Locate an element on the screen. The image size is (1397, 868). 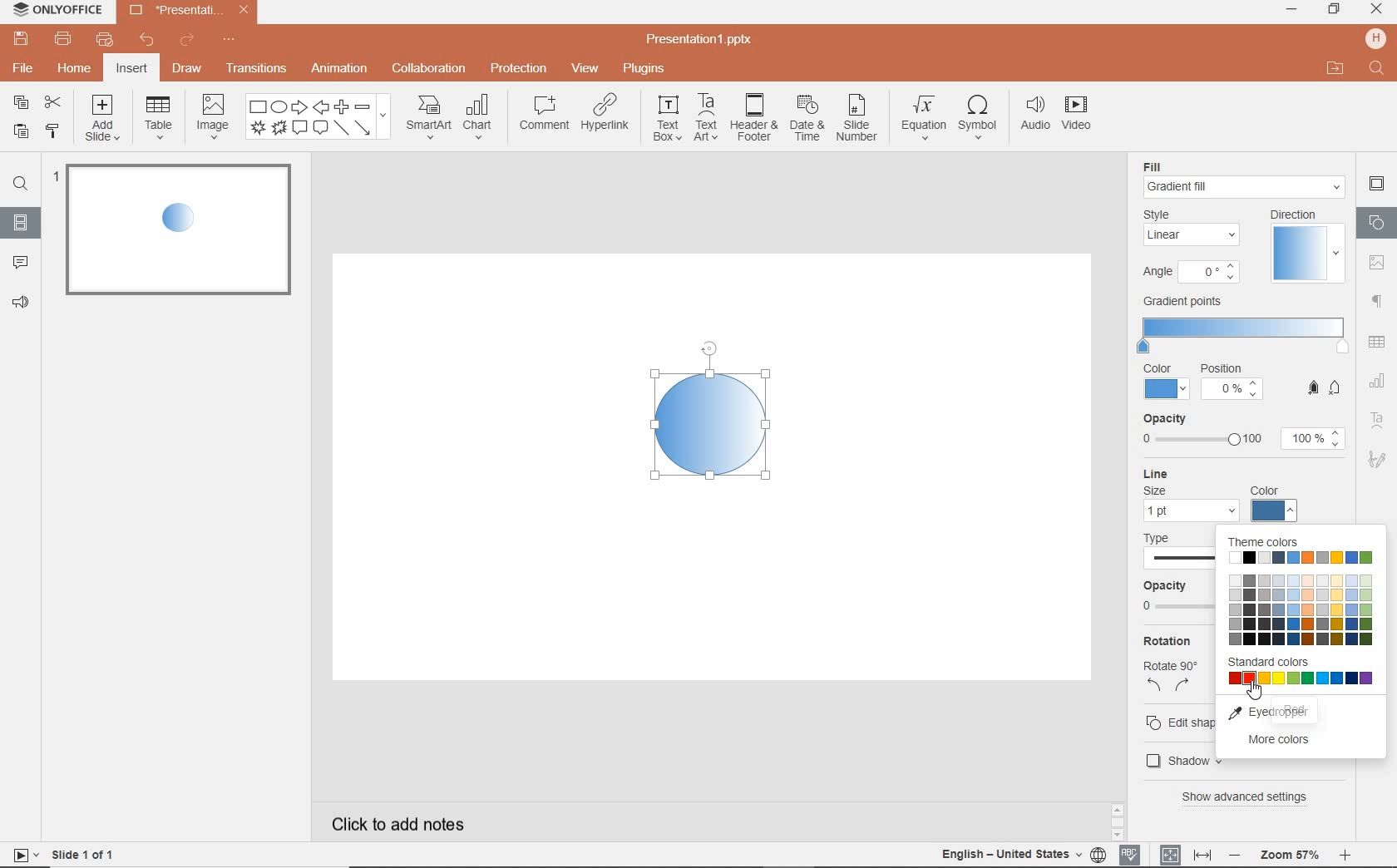
protection is located at coordinates (518, 70).